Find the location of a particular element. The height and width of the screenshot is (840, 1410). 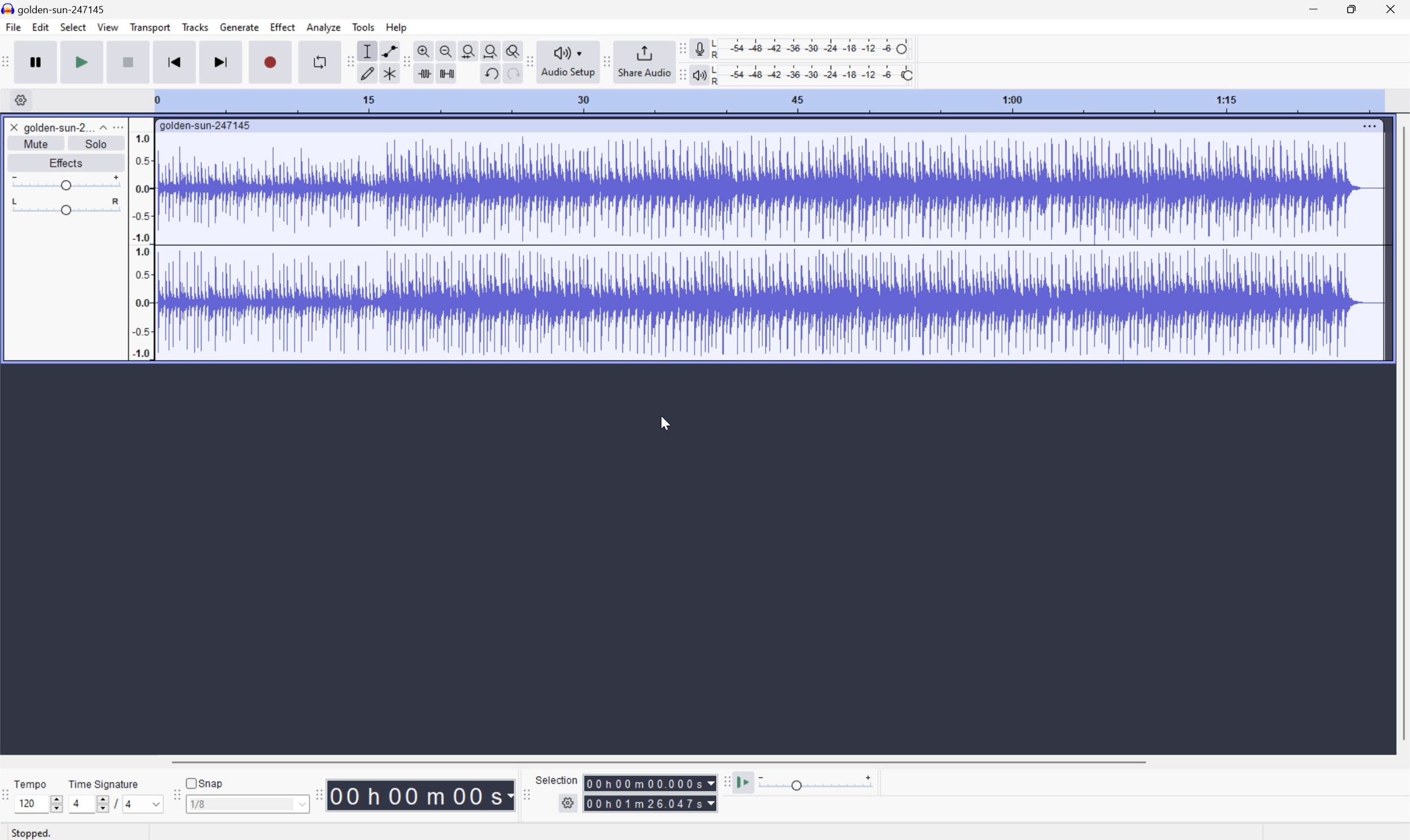

Audacity tools toolbar is located at coordinates (348, 61).